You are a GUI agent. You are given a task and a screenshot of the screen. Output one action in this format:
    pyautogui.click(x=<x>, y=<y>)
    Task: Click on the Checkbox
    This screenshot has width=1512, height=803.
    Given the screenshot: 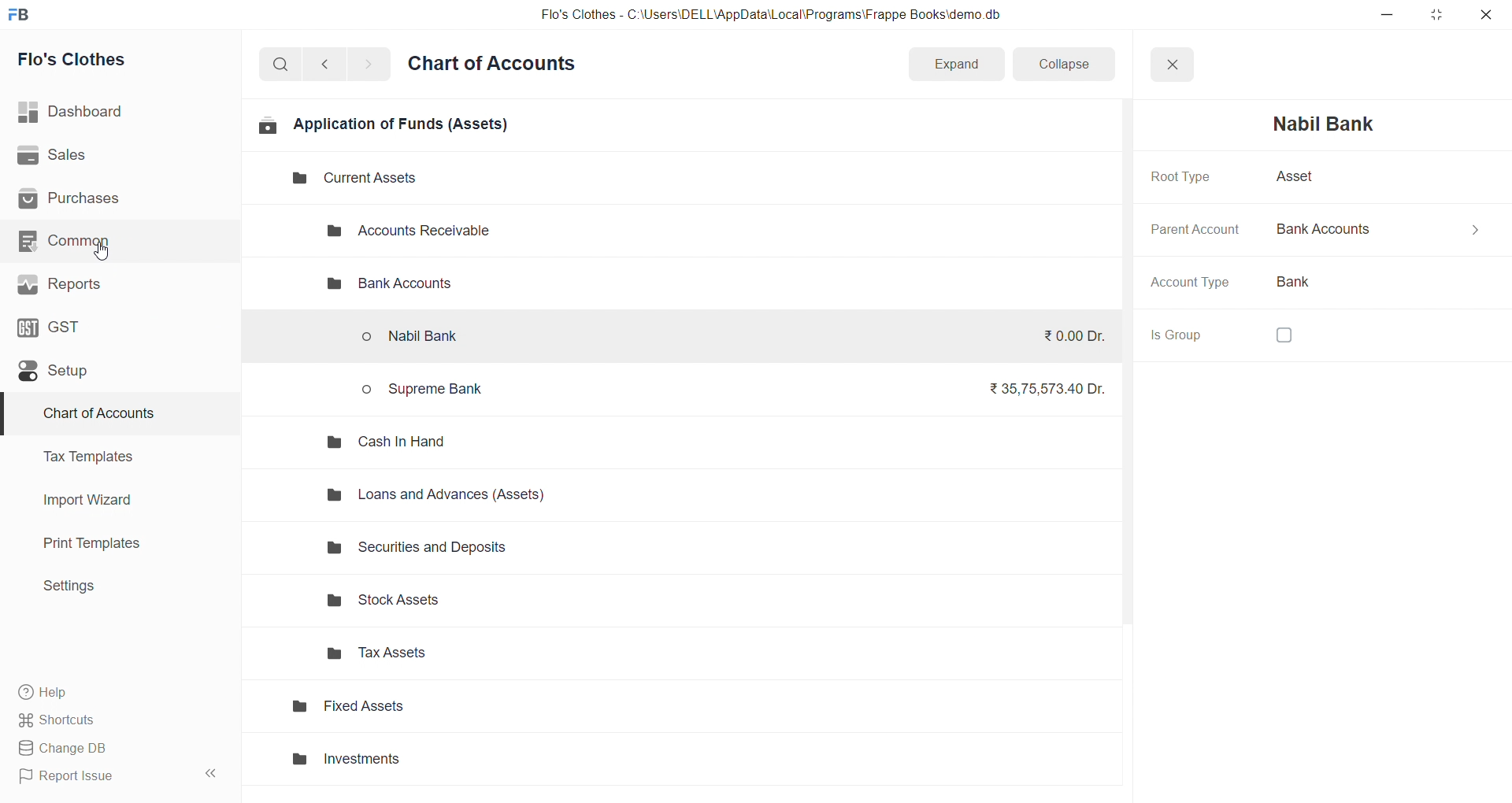 What is the action you would take?
    pyautogui.click(x=1288, y=336)
    